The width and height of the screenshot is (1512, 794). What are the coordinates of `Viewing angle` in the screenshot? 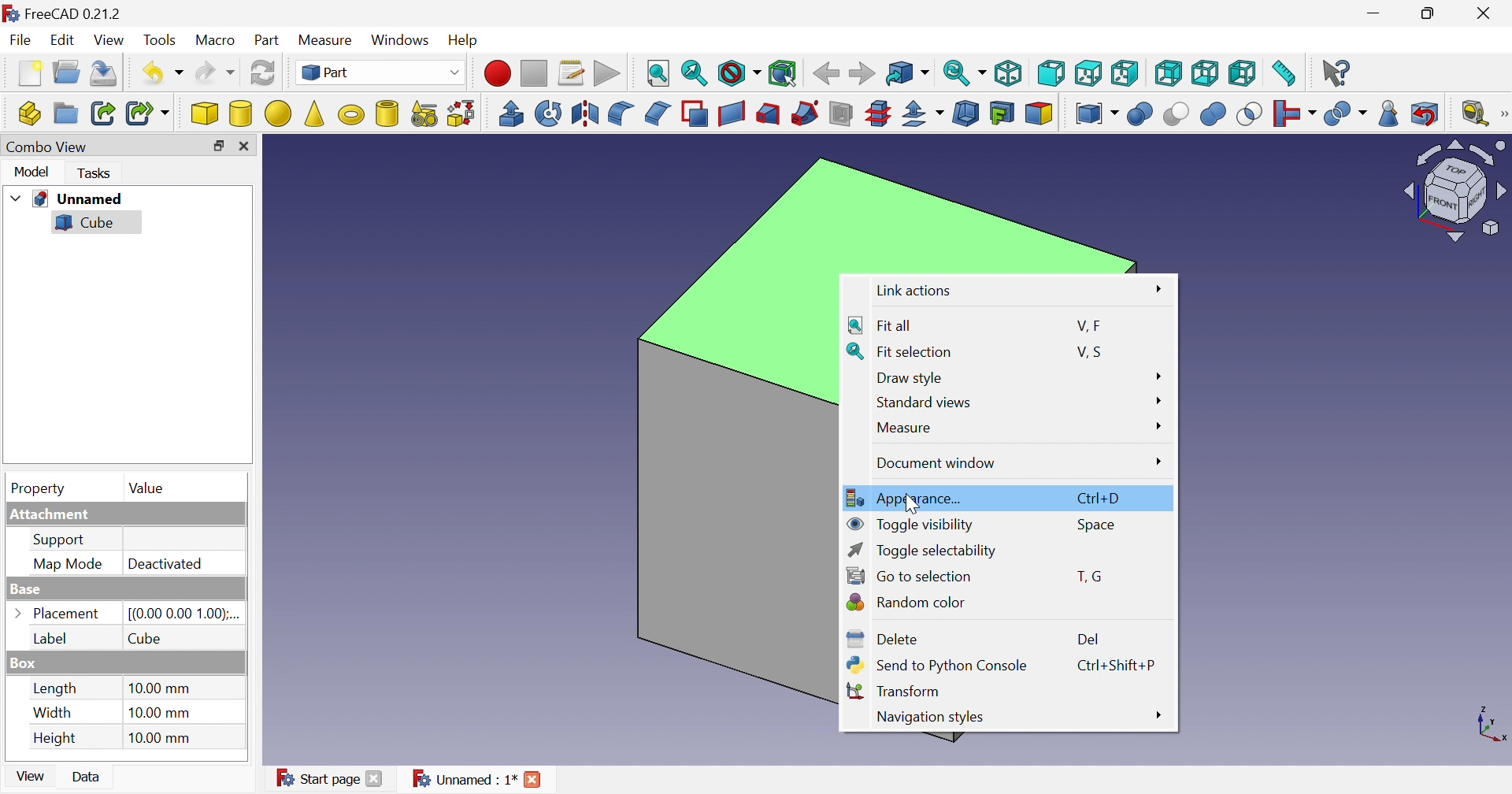 It's located at (1451, 191).